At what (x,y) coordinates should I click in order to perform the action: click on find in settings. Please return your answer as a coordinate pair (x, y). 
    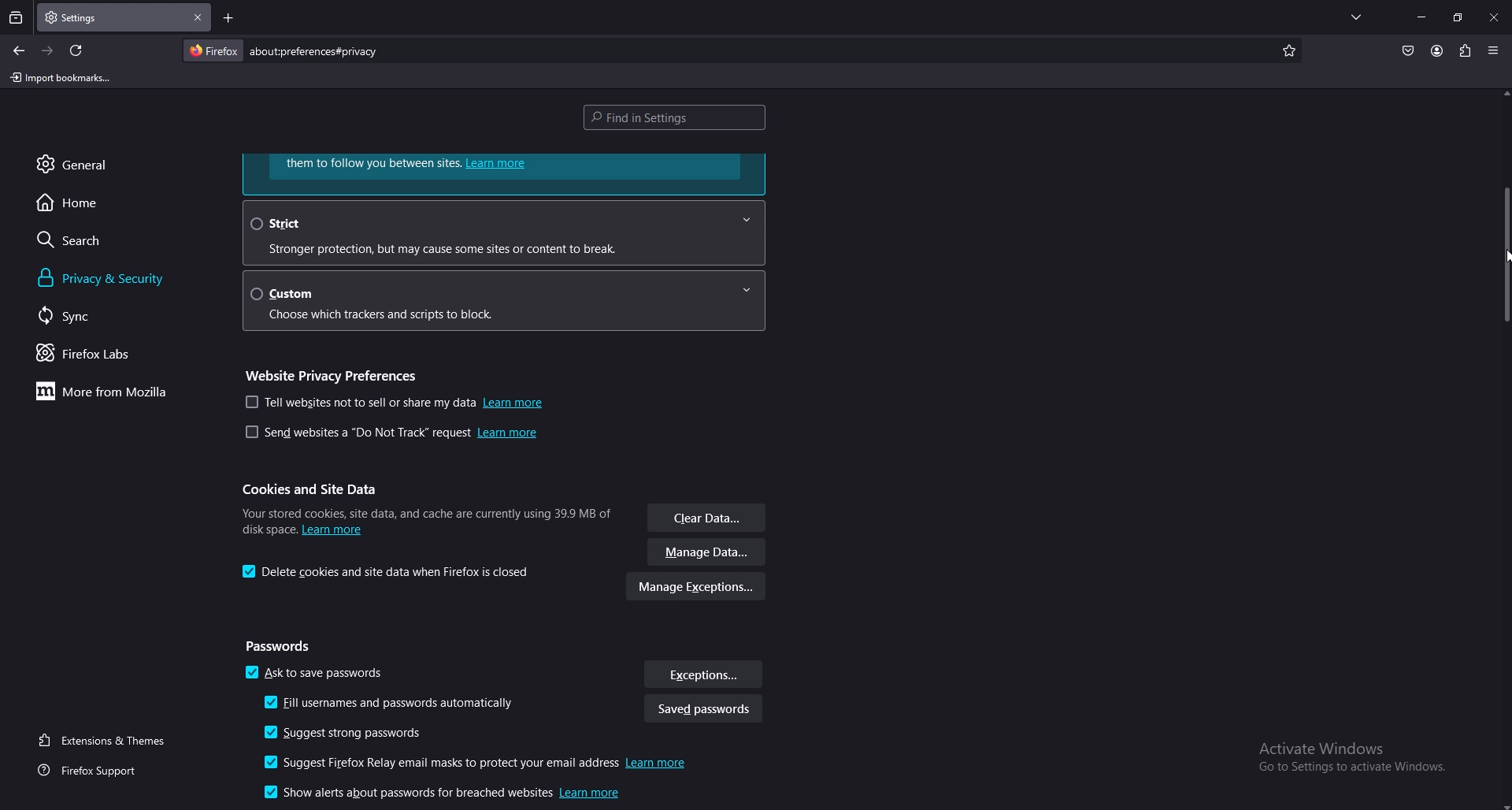
    Looking at the image, I should click on (679, 116).